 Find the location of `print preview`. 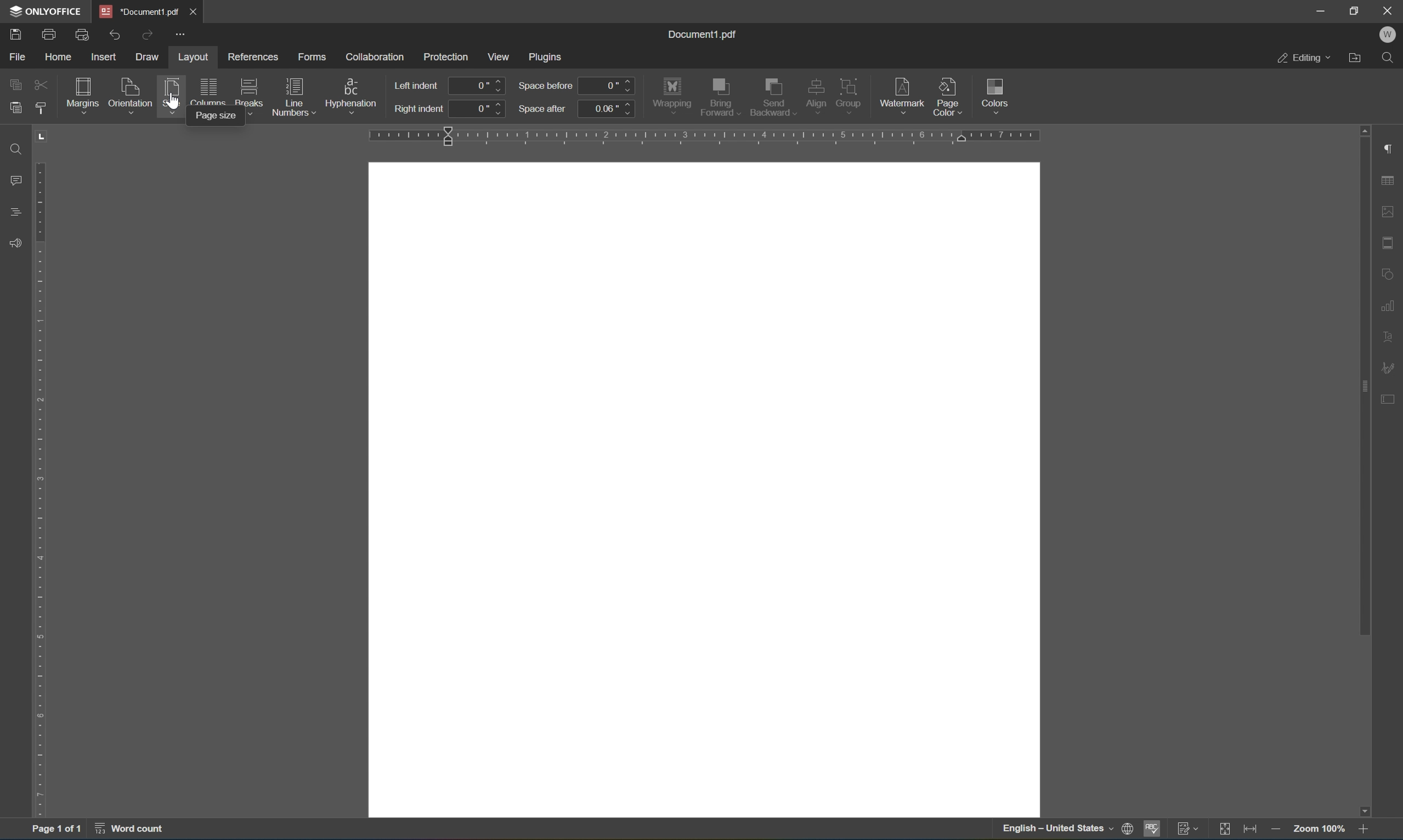

print preview is located at coordinates (83, 33).